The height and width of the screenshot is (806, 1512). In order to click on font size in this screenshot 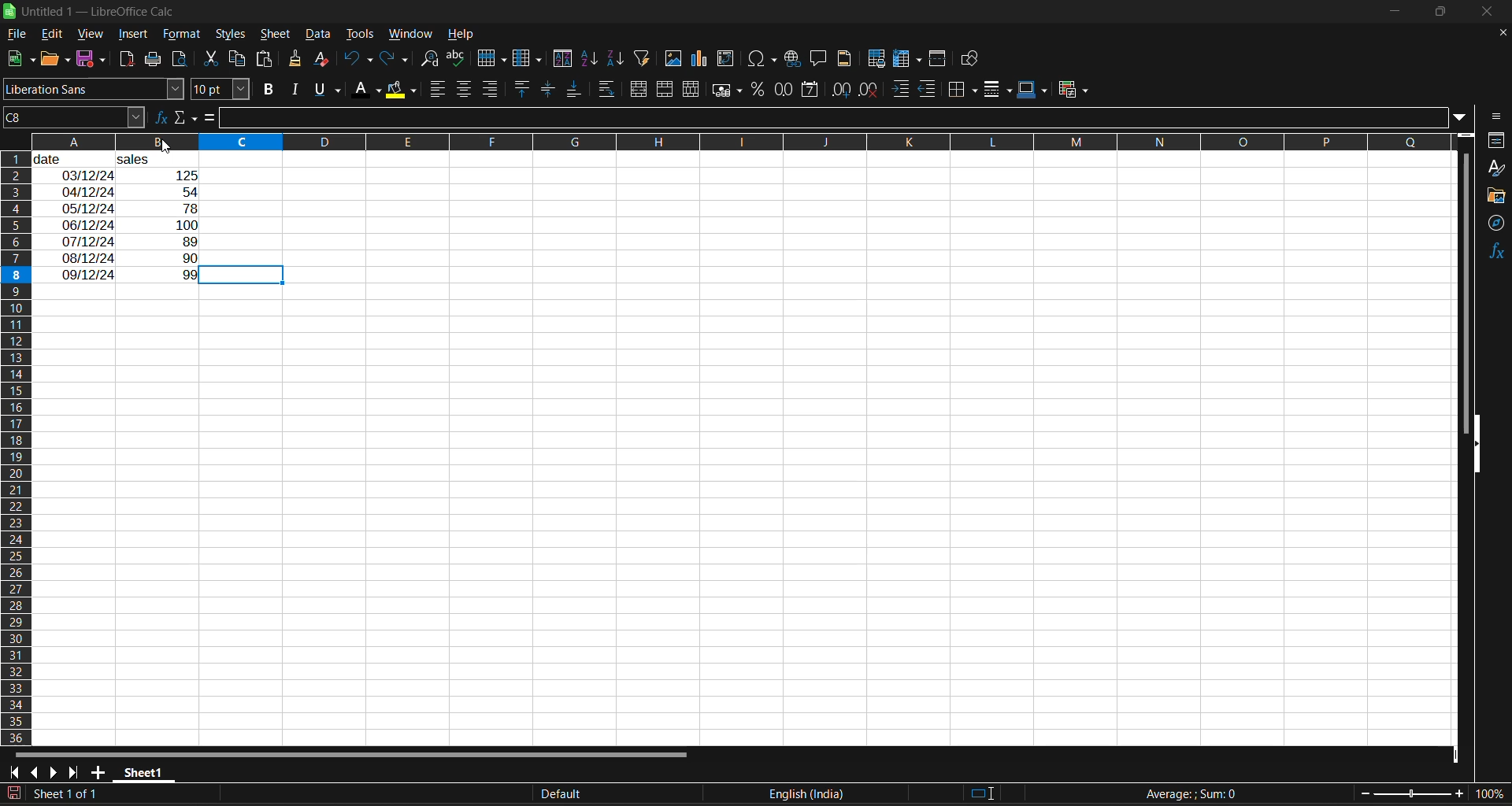, I will do `click(220, 89)`.